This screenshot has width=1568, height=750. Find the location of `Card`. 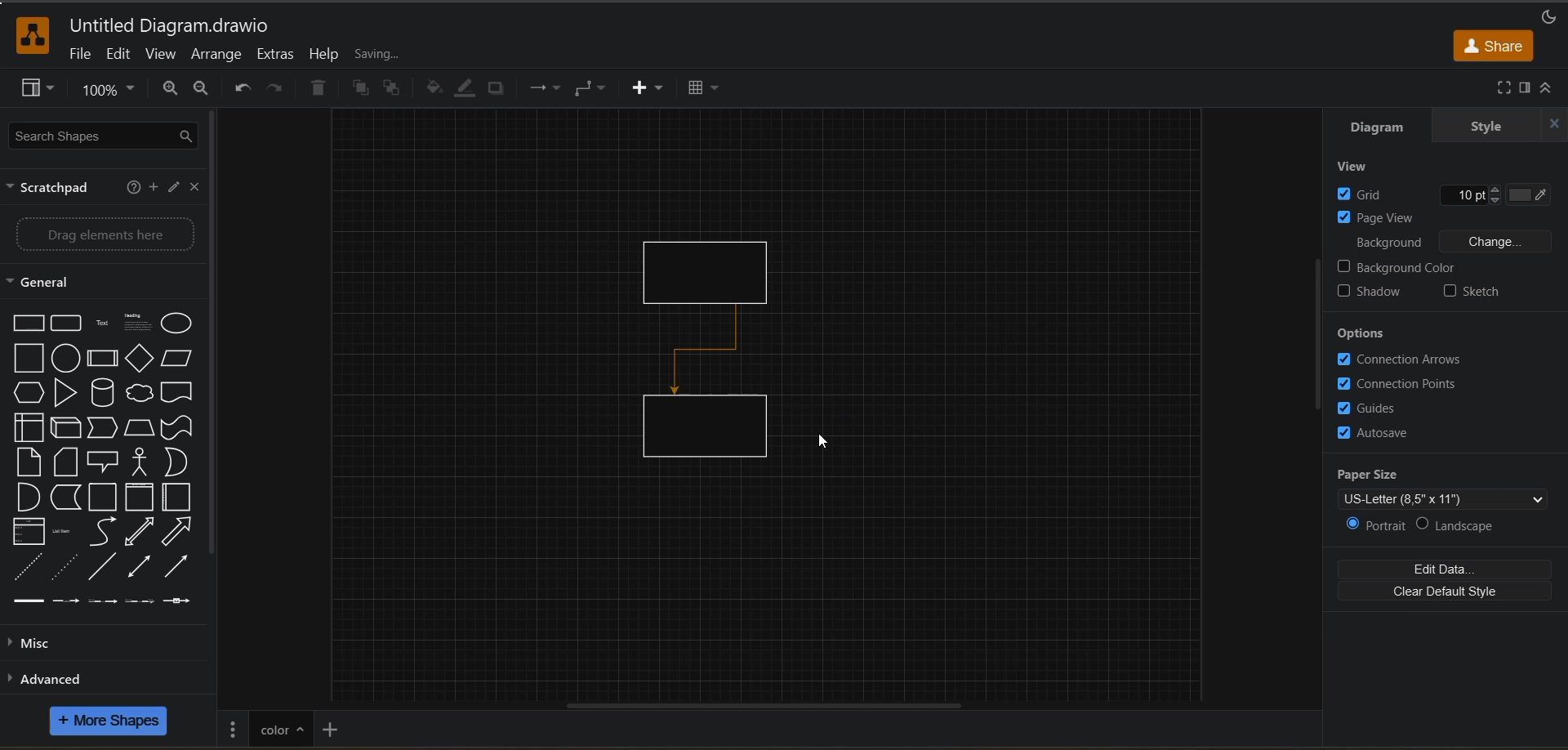

Card is located at coordinates (26, 462).